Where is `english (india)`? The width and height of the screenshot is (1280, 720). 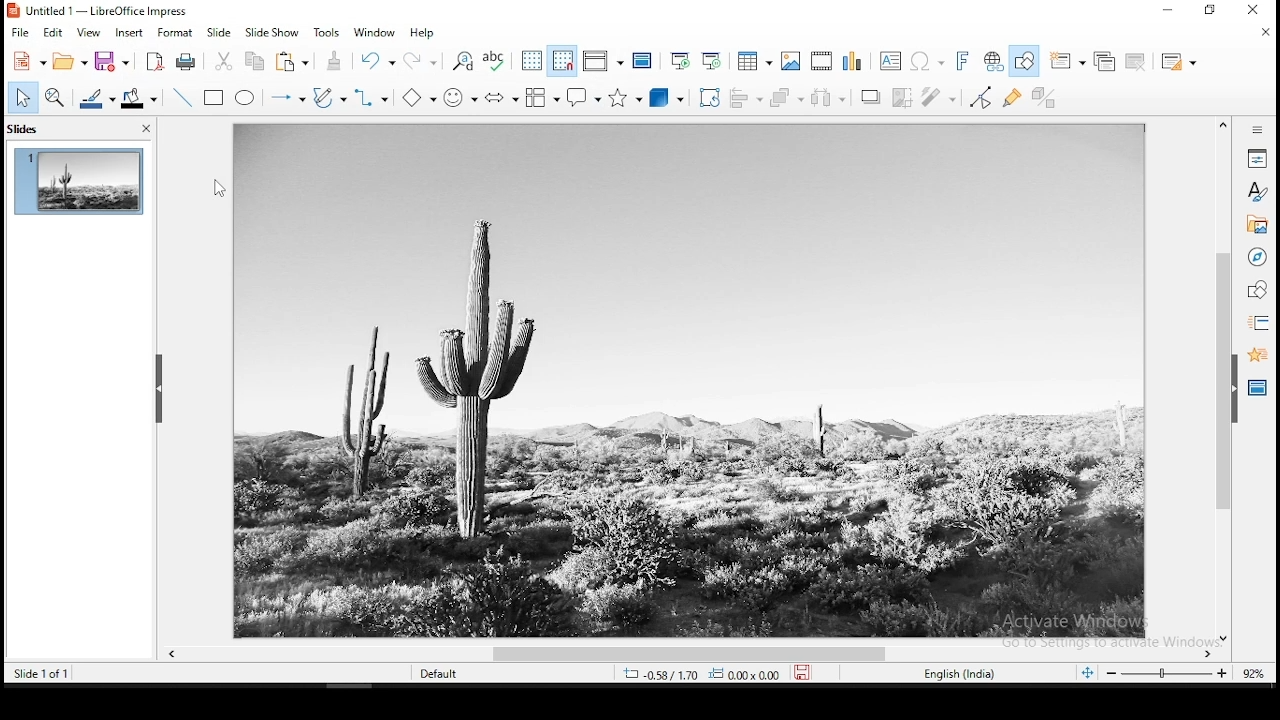
english (india) is located at coordinates (959, 676).